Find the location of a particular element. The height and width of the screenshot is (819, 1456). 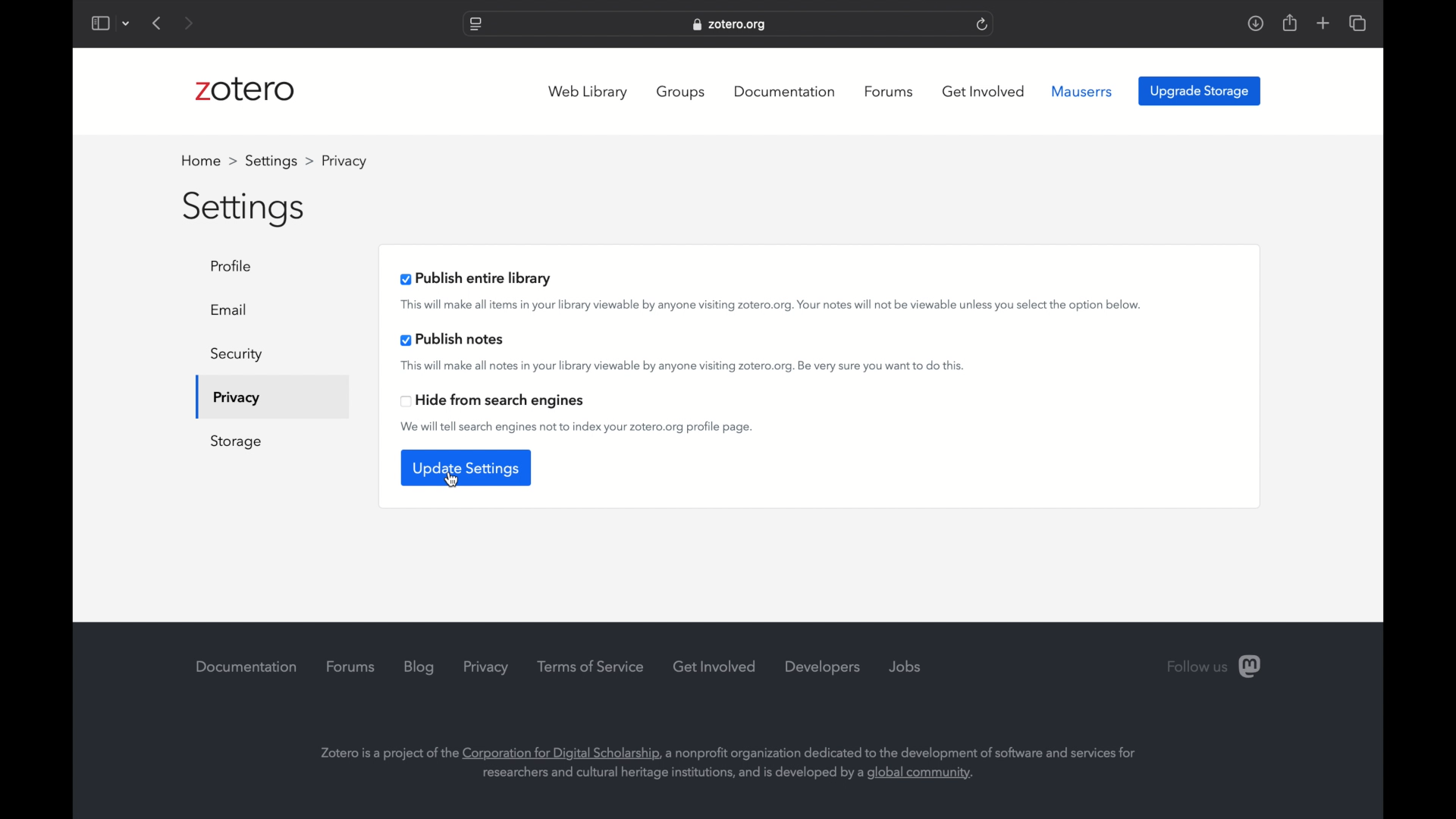

documentation is located at coordinates (784, 92).